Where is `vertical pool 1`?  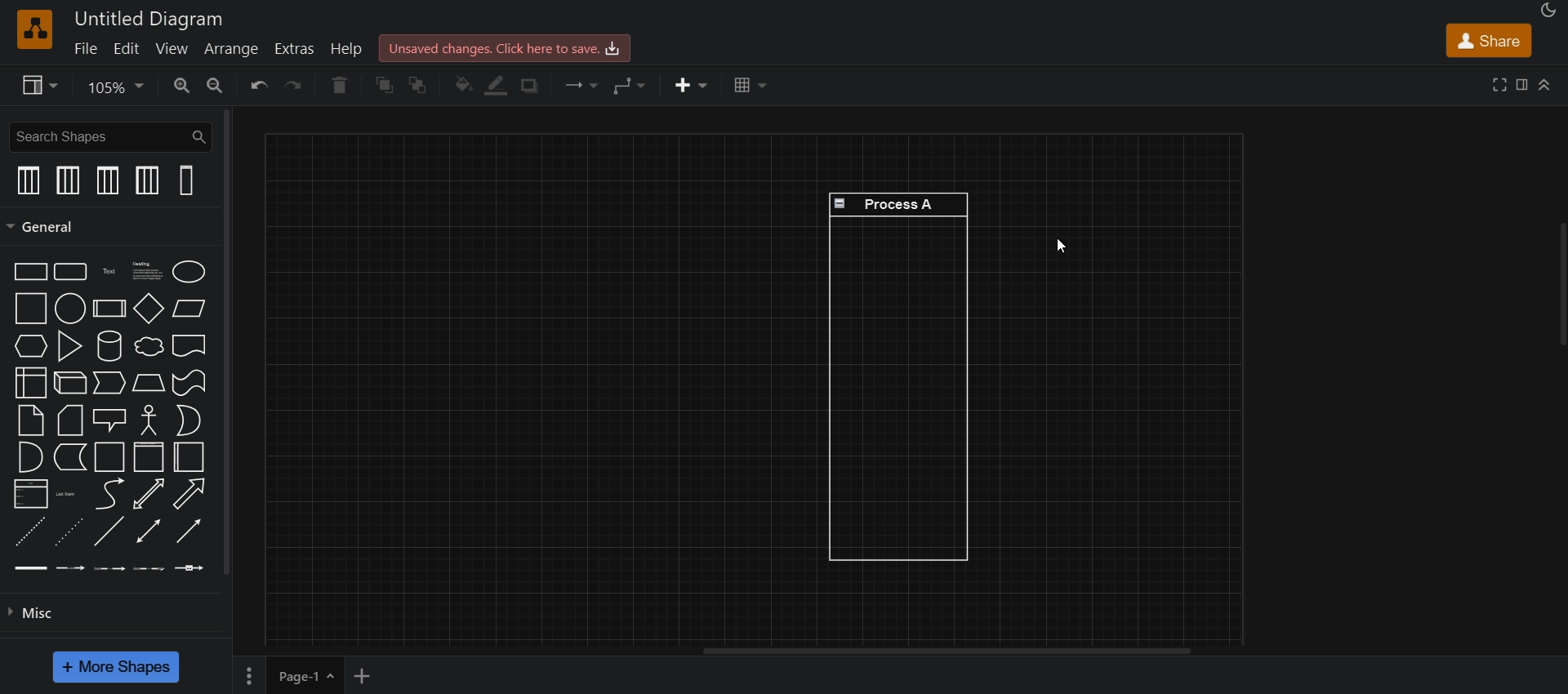 vertical pool 1 is located at coordinates (109, 180).